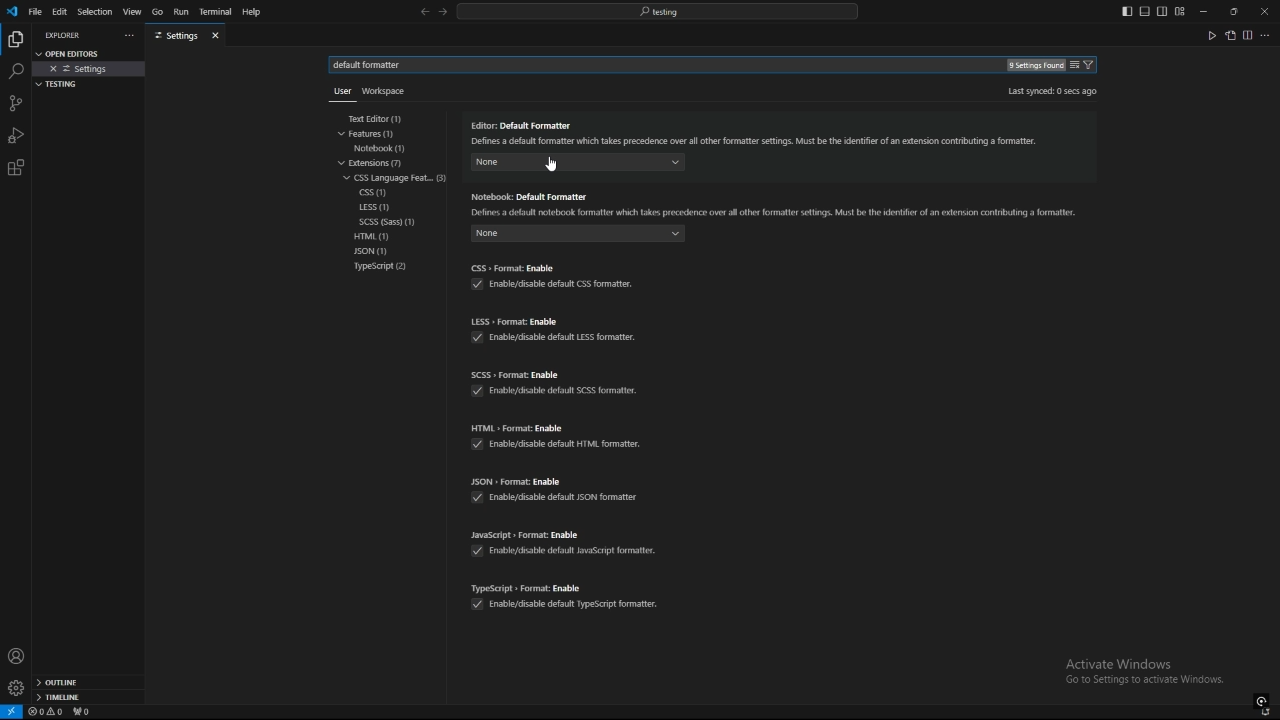 The image size is (1280, 720). Describe the element at coordinates (378, 134) in the screenshot. I see `features` at that location.